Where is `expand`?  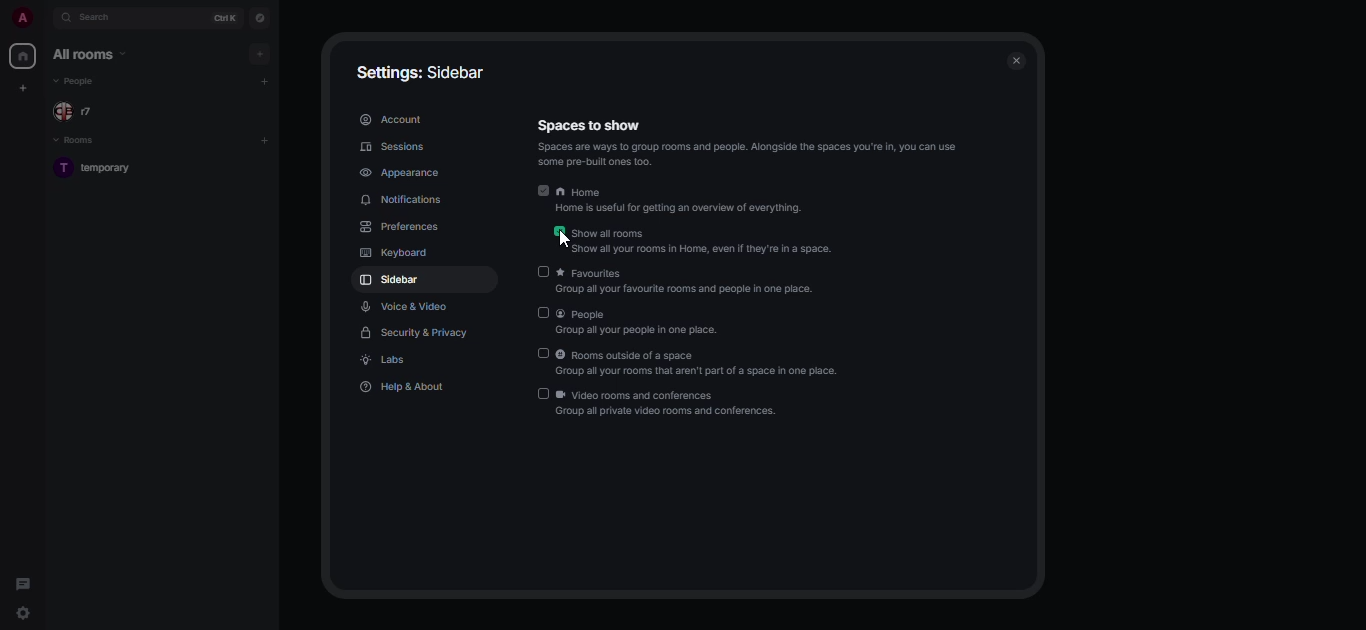 expand is located at coordinates (47, 22).